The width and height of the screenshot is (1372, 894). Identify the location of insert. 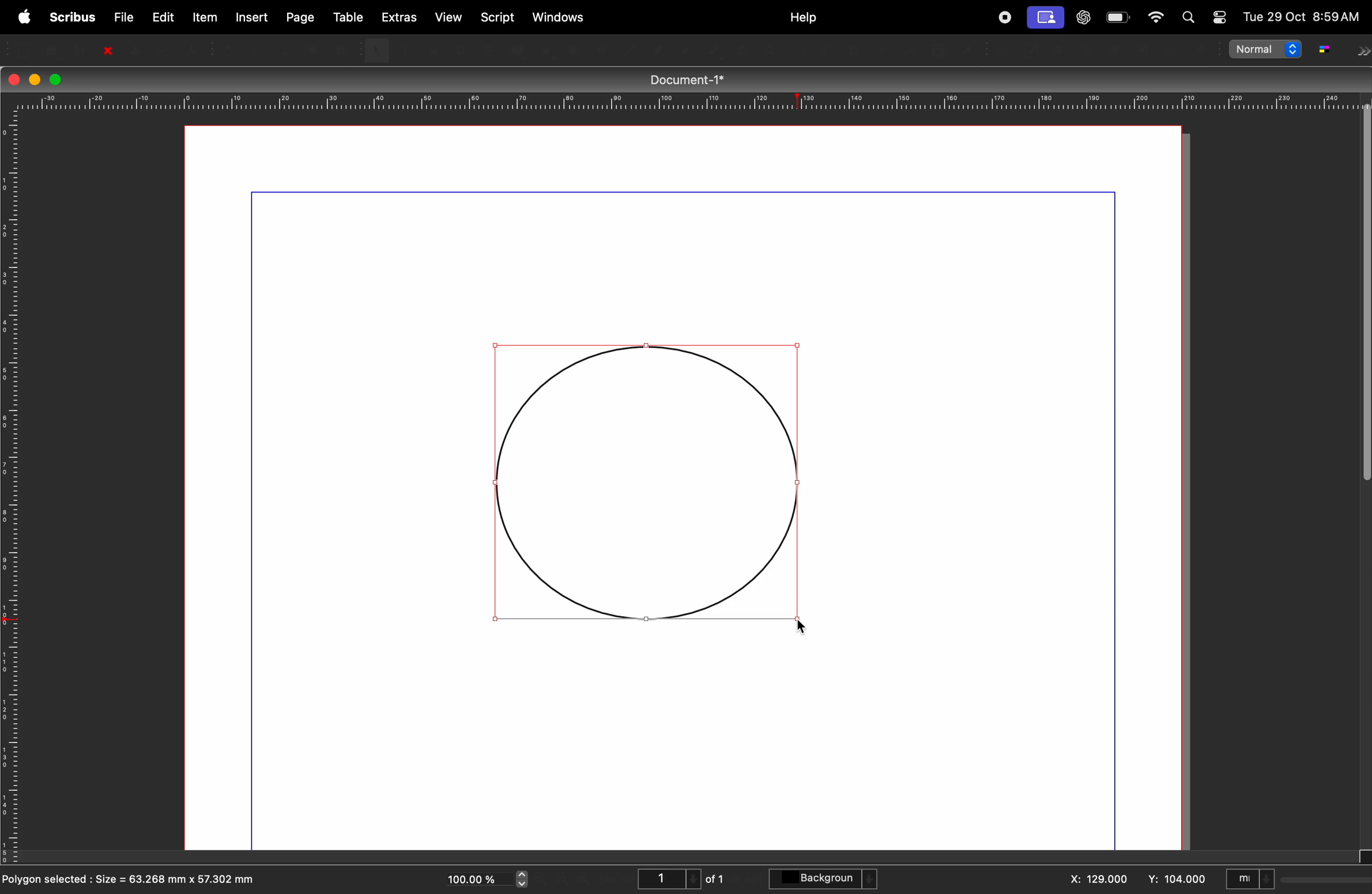
(251, 17).